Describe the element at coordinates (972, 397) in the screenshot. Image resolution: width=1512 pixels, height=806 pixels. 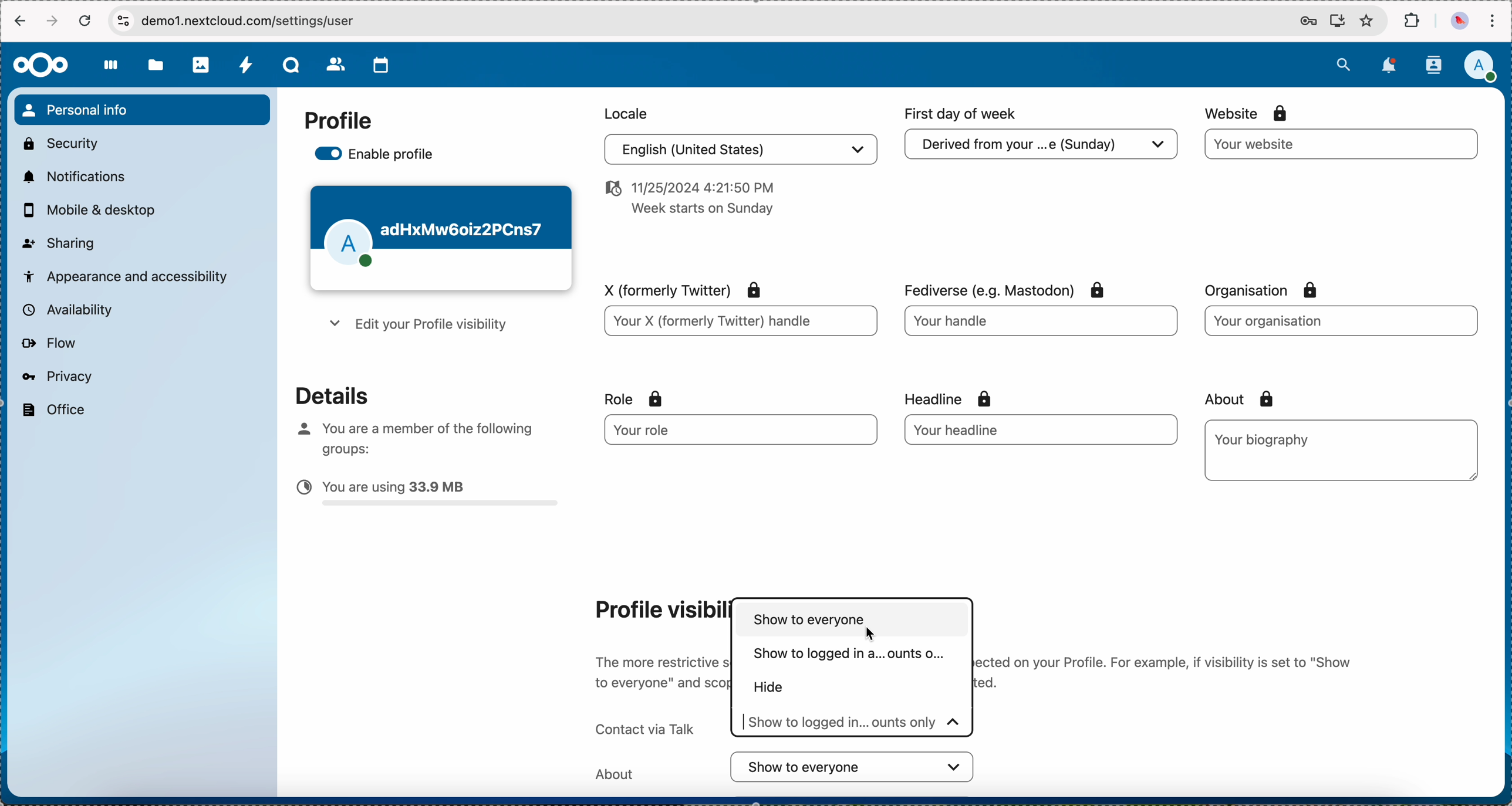
I see `headline` at that location.